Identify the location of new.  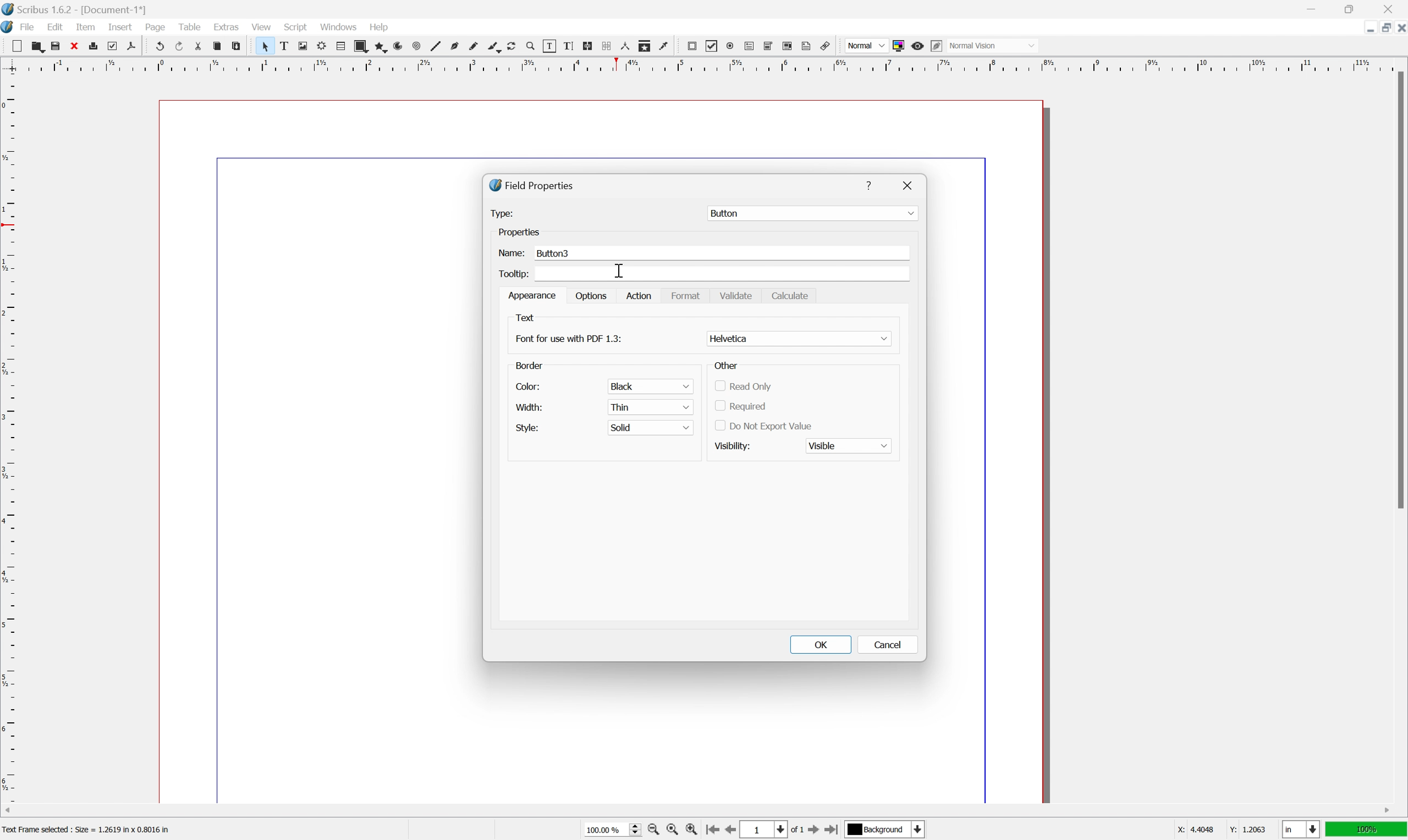
(17, 46).